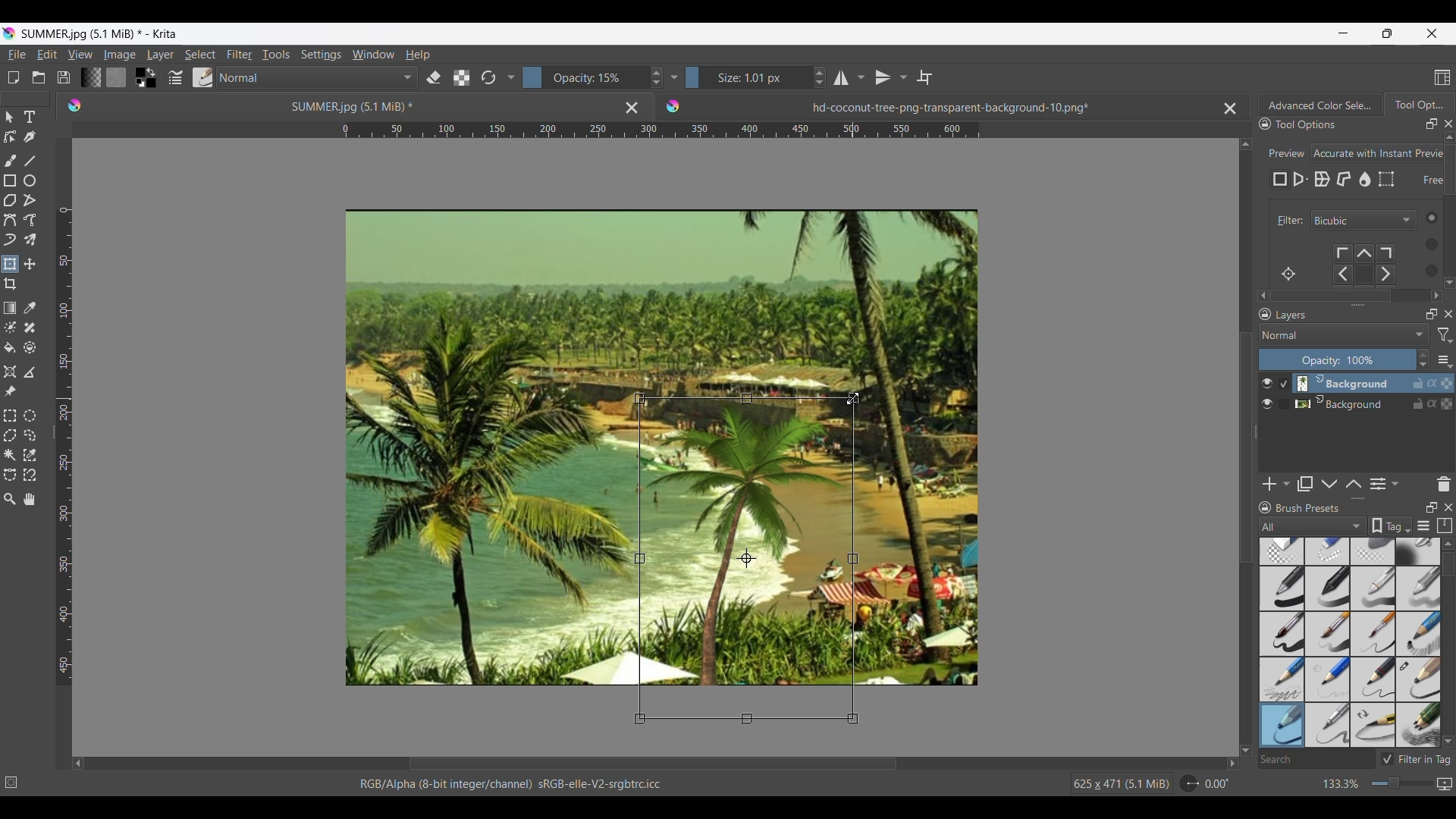 The width and height of the screenshot is (1456, 819). Describe the element at coordinates (1228, 763) in the screenshot. I see `Right` at that location.